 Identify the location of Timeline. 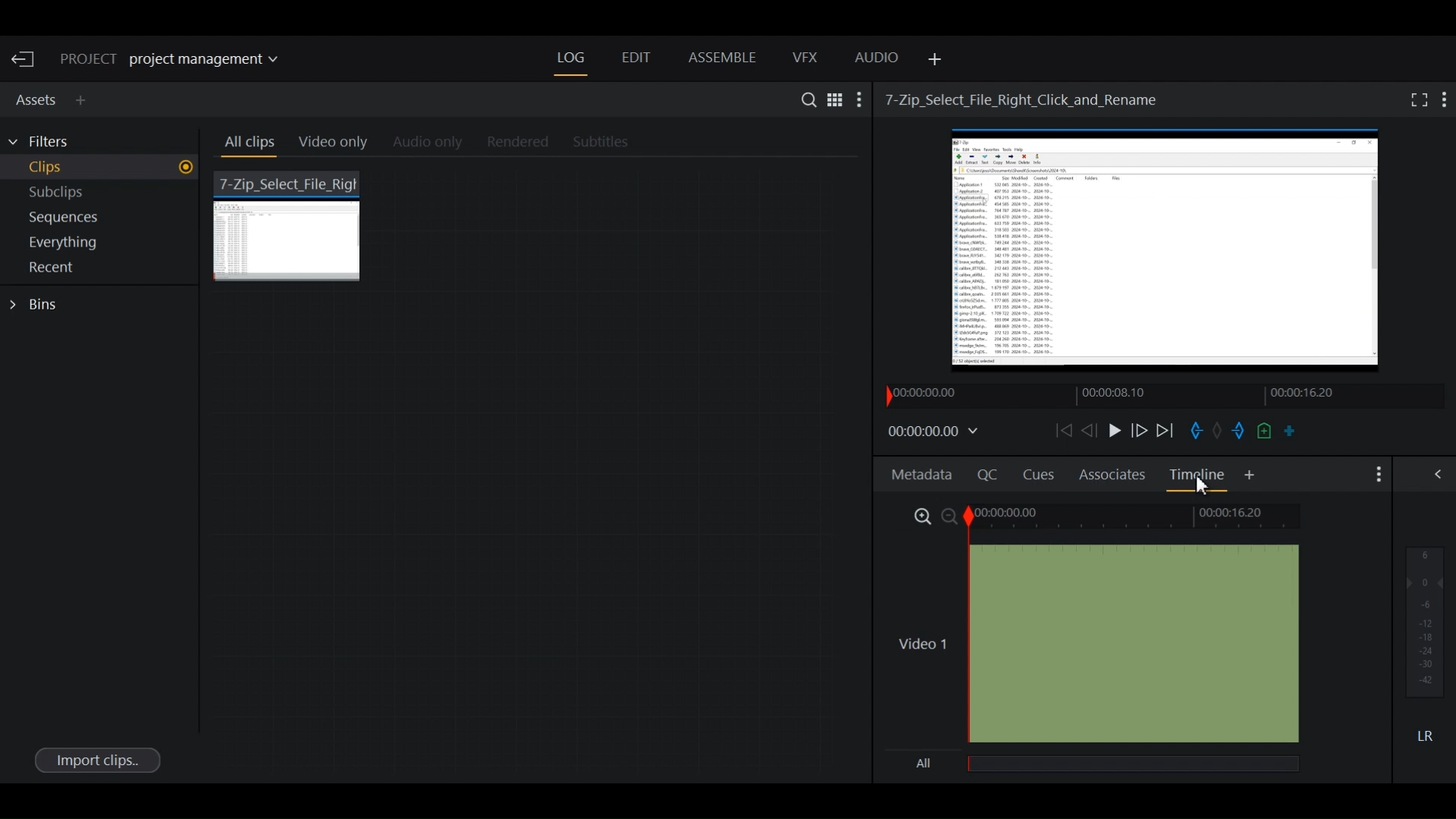
(1131, 395).